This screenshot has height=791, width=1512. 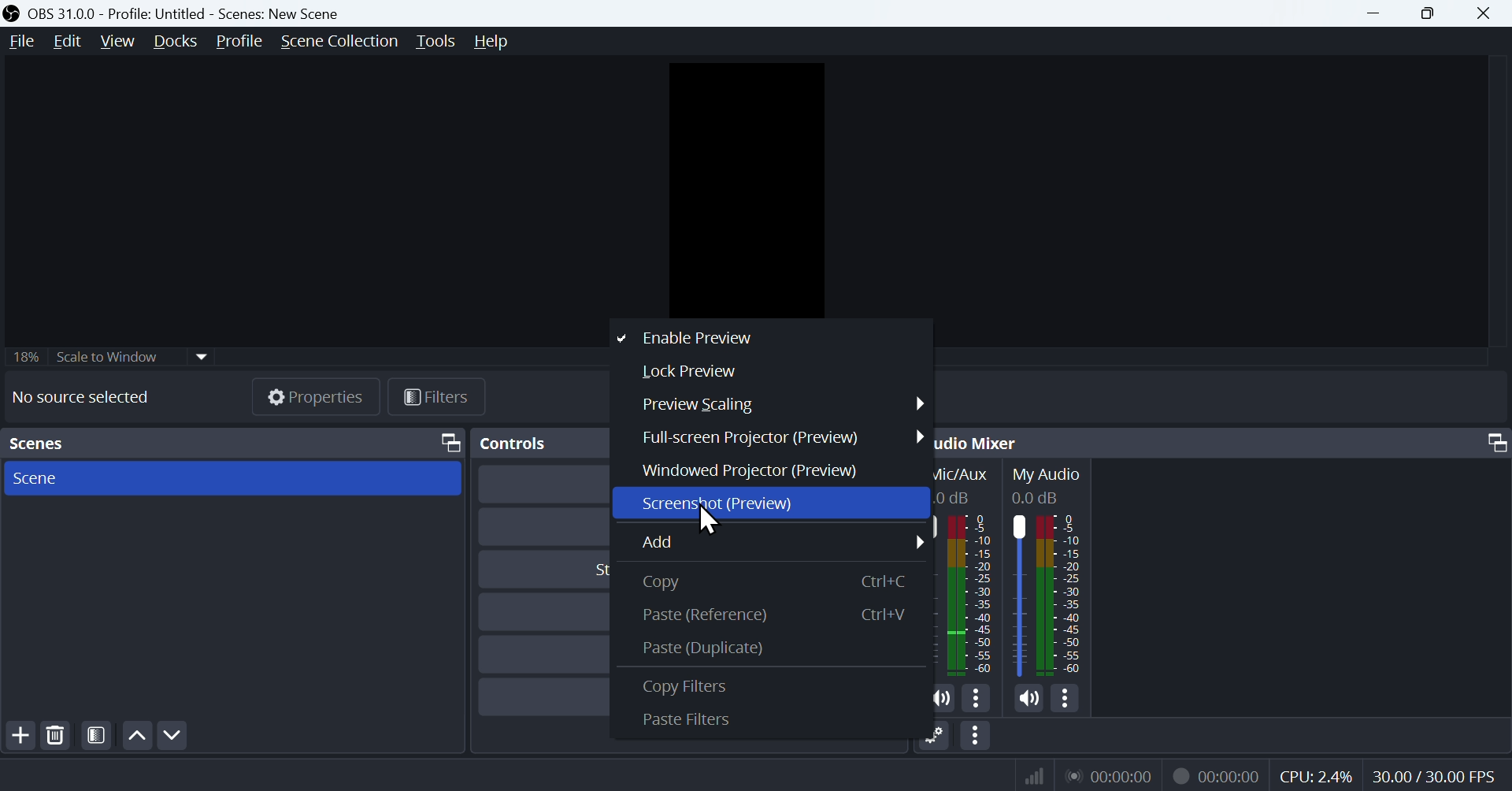 What do you see at coordinates (691, 689) in the screenshot?
I see `Copy Filters` at bounding box center [691, 689].